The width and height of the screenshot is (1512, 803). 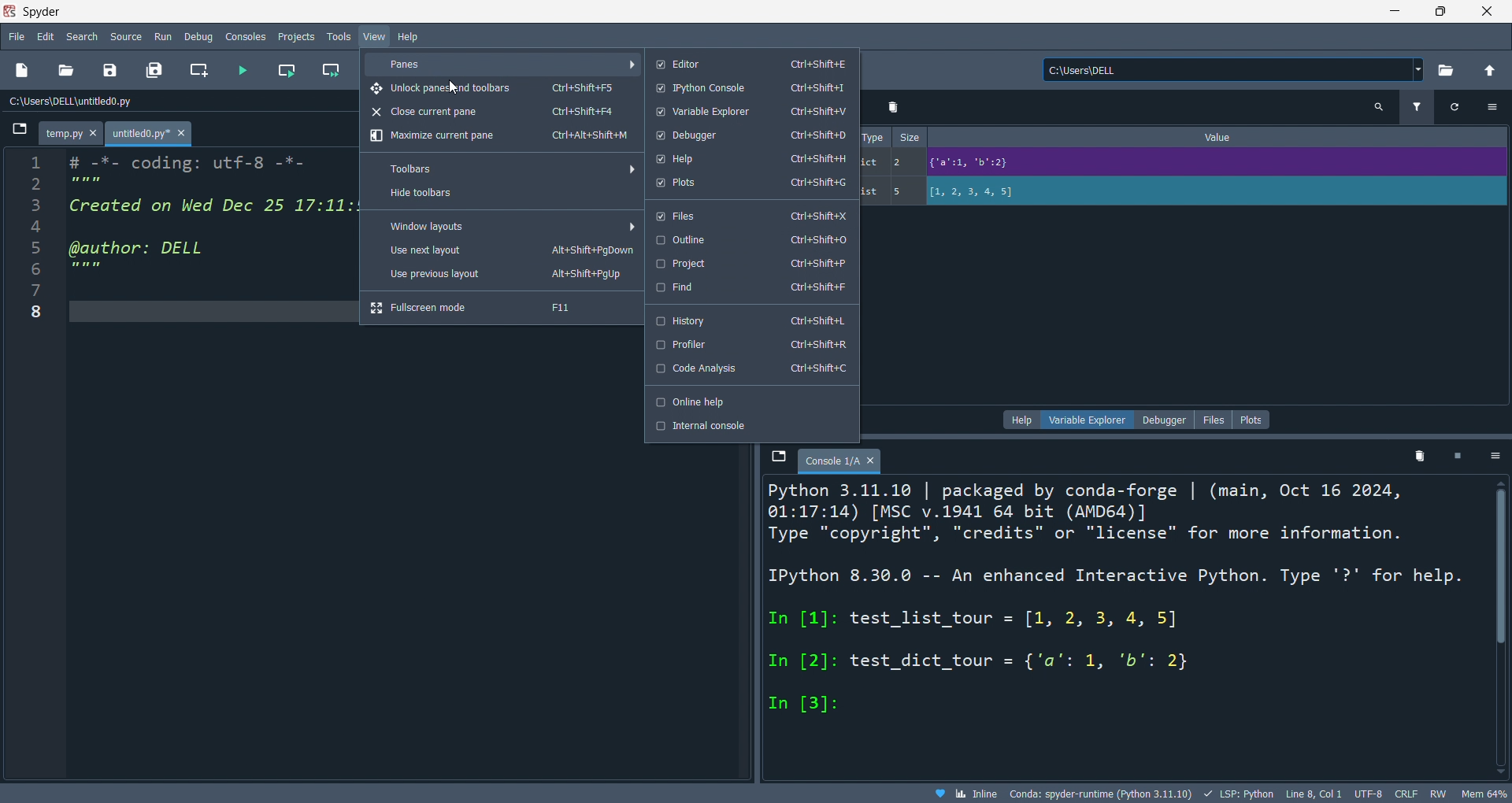 I want to click on project, so click(x=750, y=264).